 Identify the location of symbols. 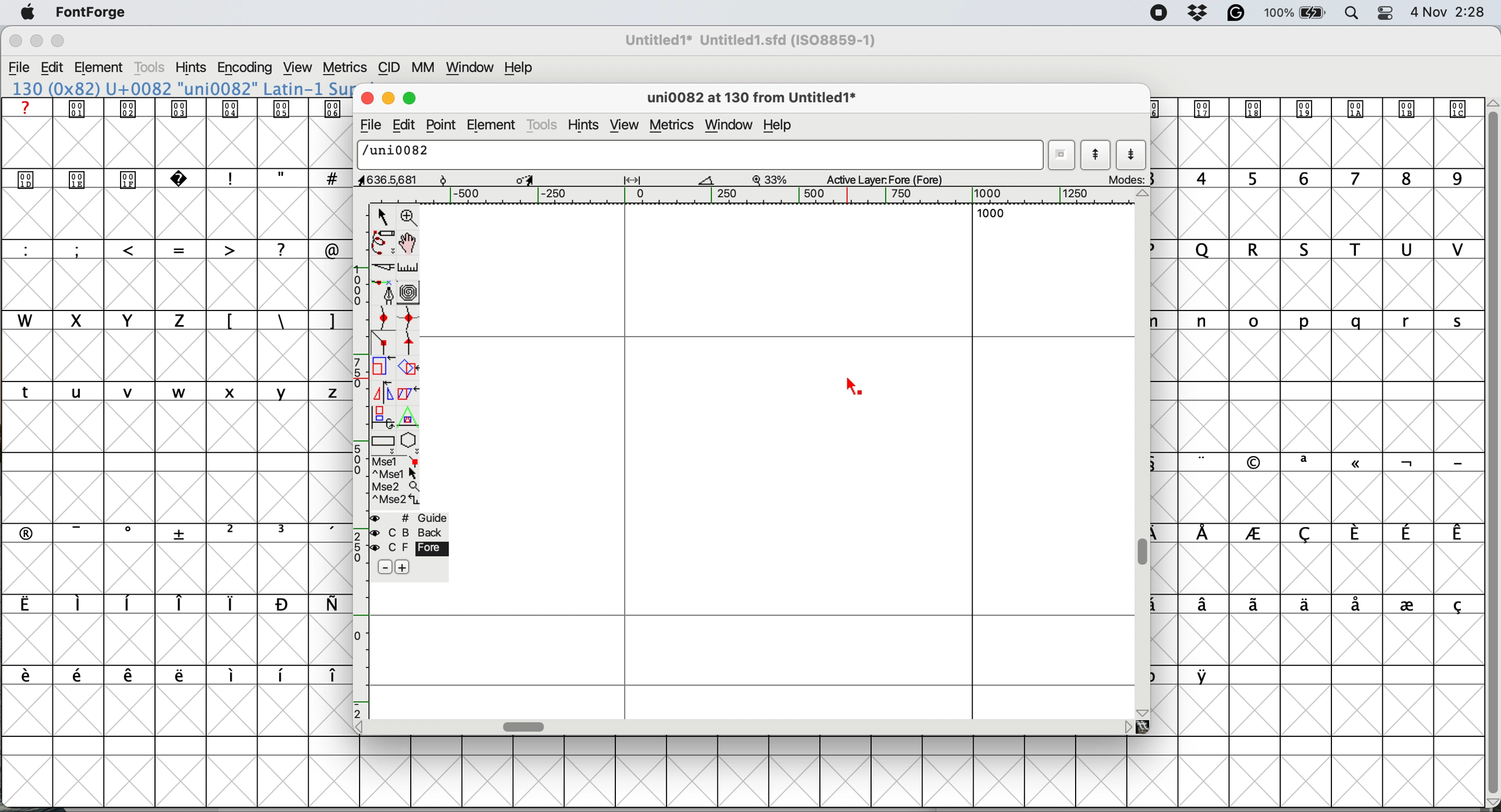
(281, 322).